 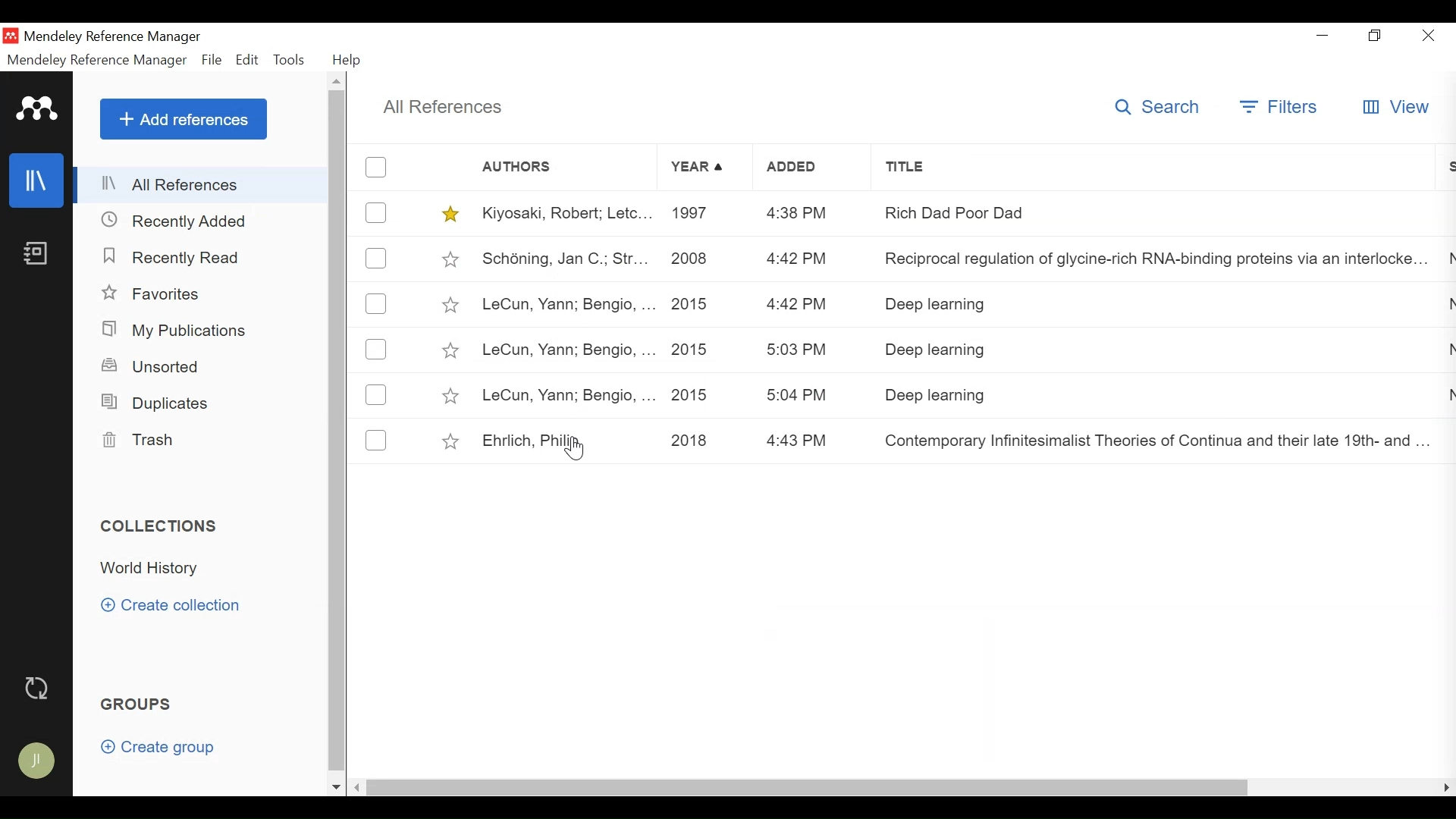 I want to click on All References, so click(x=203, y=186).